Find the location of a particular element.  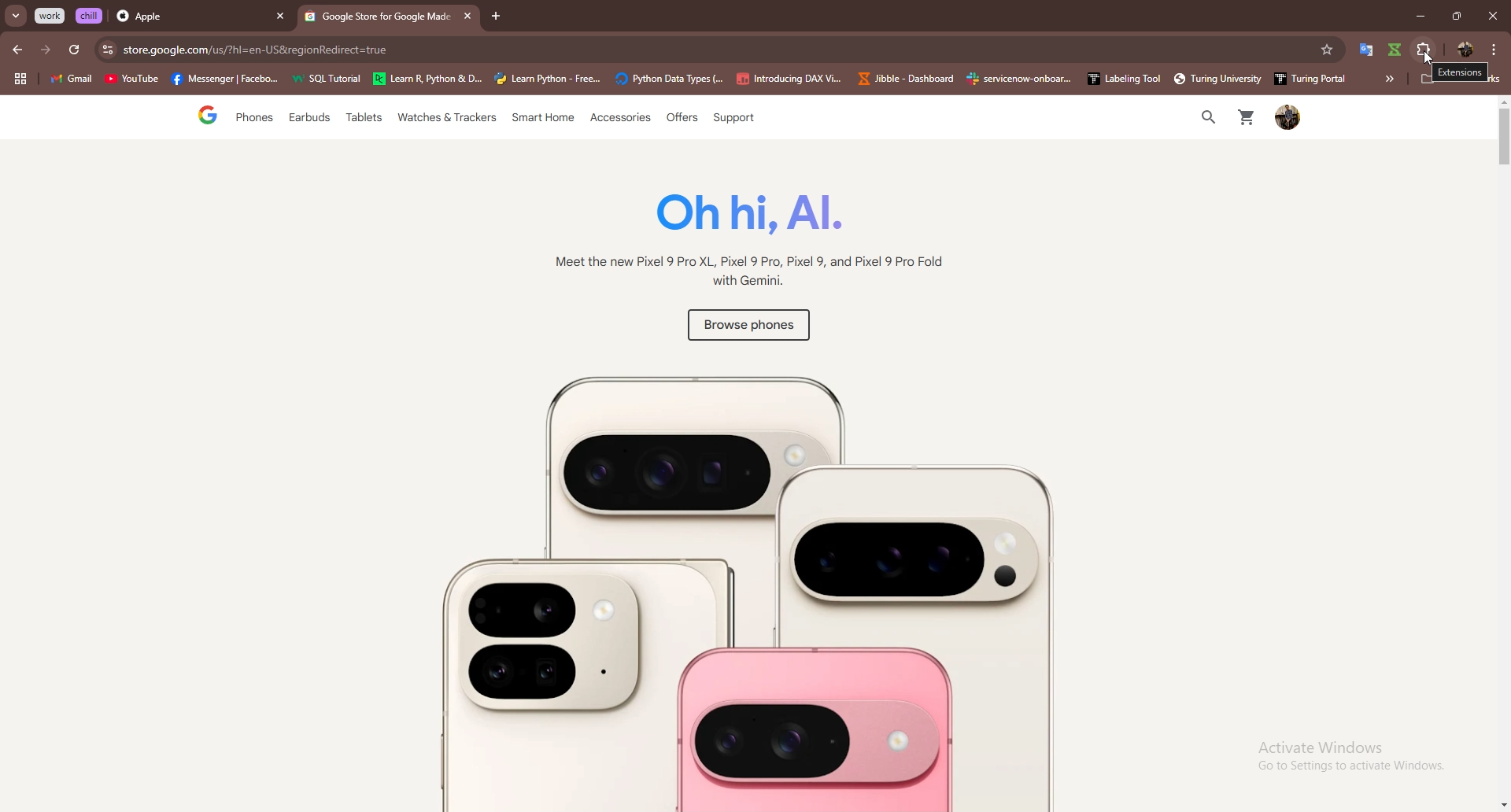

Google page is located at coordinates (194, 117).